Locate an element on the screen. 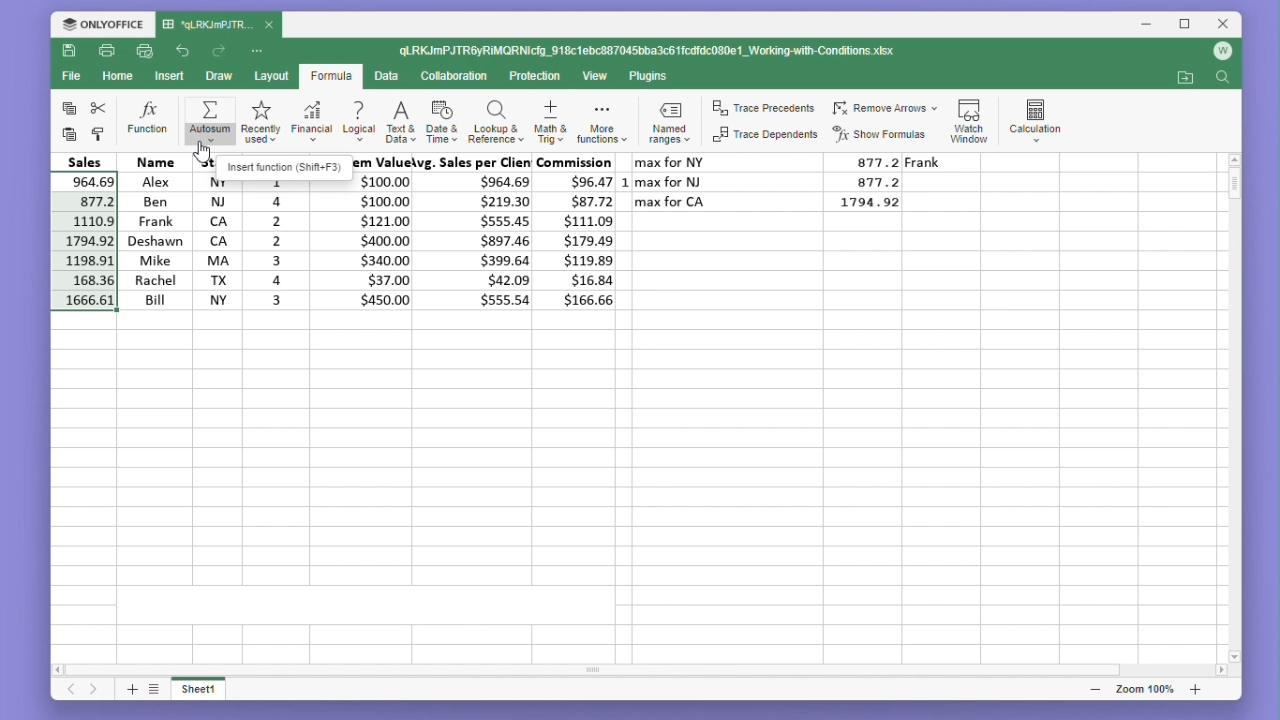 This screenshot has width=1280, height=720. Maths and trigonometry is located at coordinates (551, 119).